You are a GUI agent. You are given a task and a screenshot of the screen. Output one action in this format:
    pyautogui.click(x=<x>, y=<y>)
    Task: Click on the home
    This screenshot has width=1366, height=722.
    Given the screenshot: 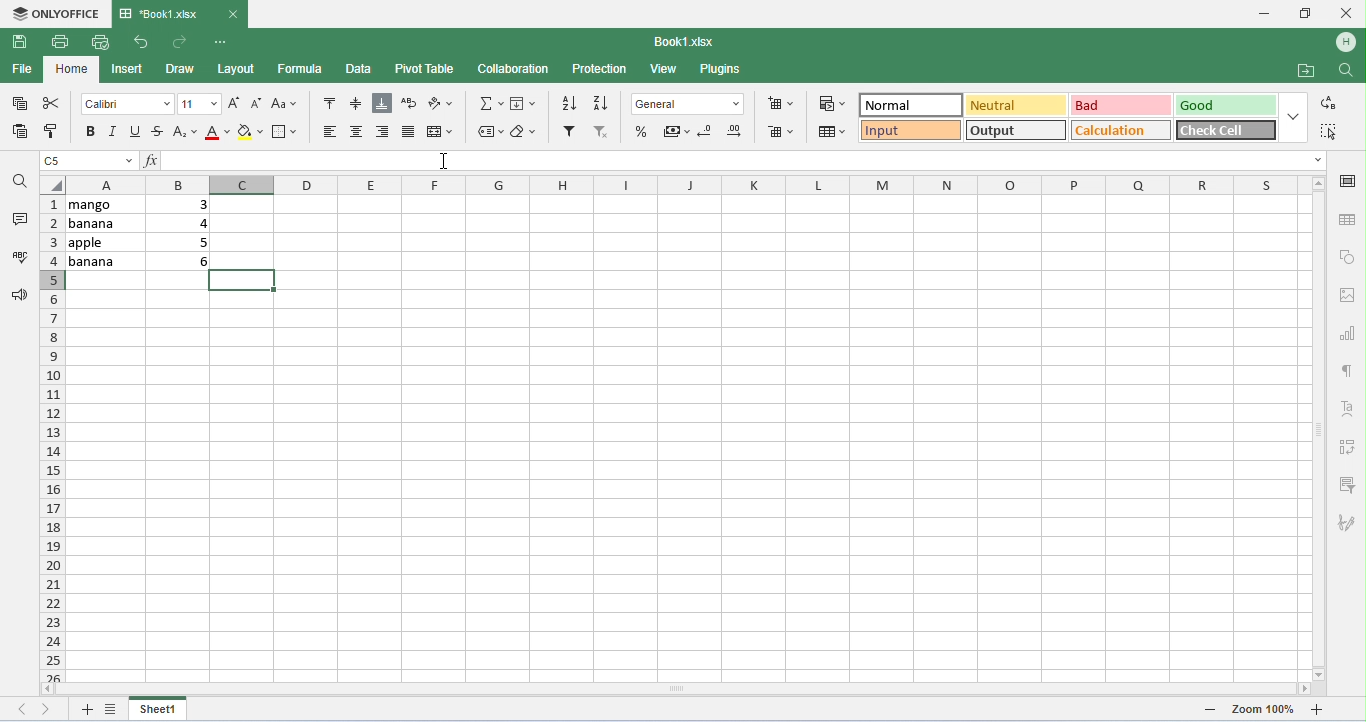 What is the action you would take?
    pyautogui.click(x=73, y=70)
    